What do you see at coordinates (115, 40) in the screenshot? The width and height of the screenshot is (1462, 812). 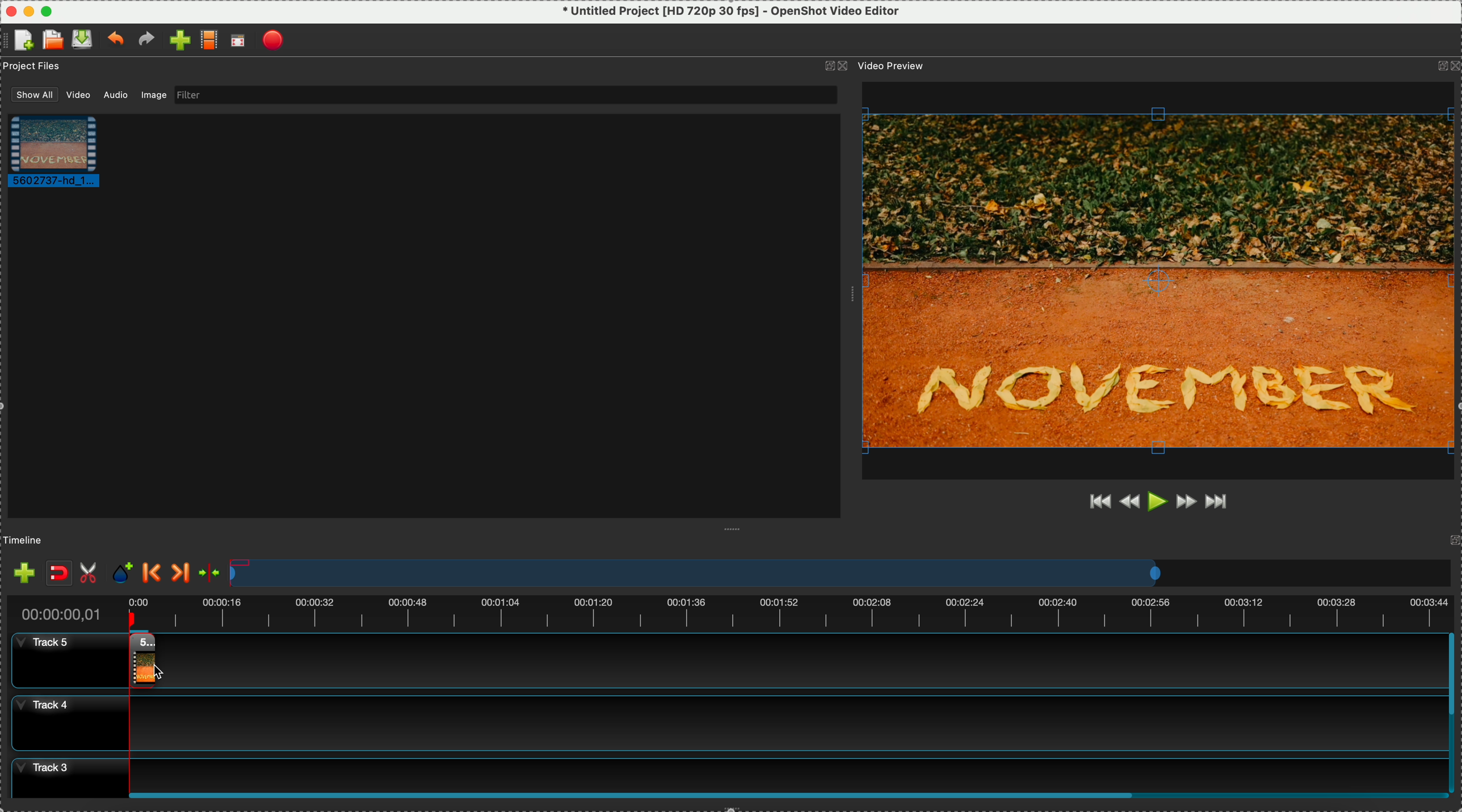 I see `undo` at bounding box center [115, 40].